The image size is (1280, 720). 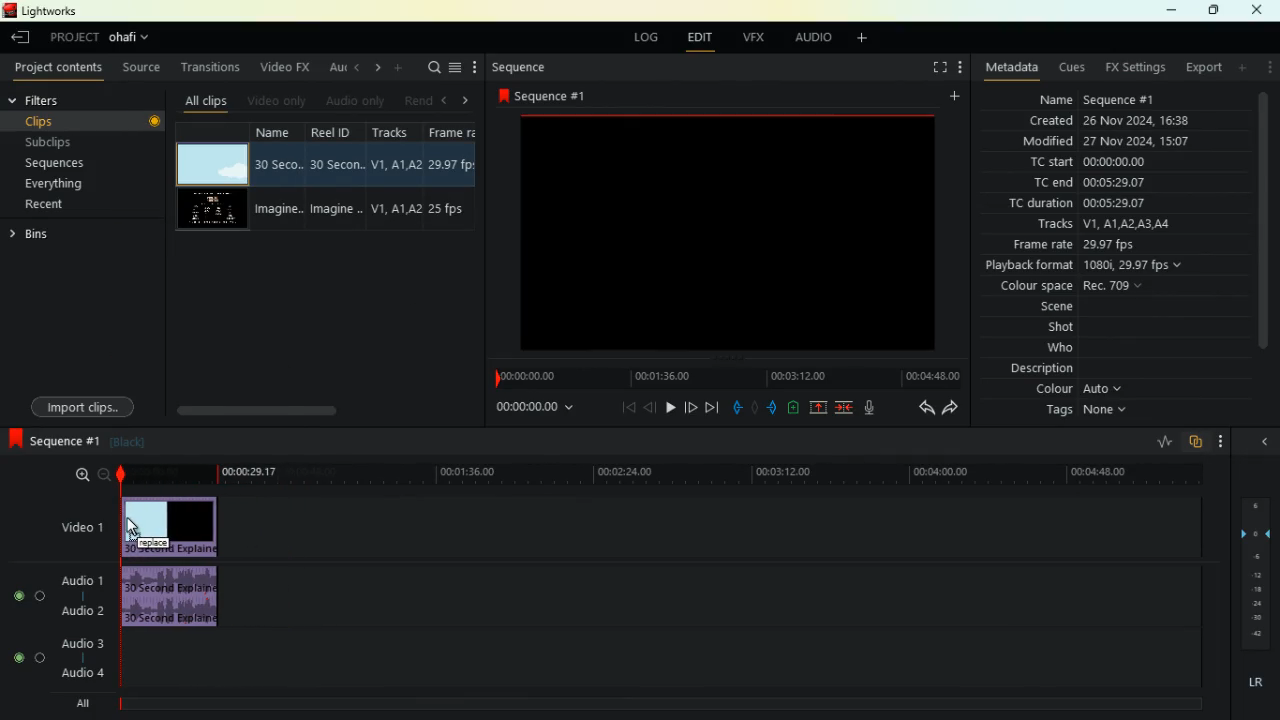 I want to click on 00:05:29.07, so click(x=1121, y=203).